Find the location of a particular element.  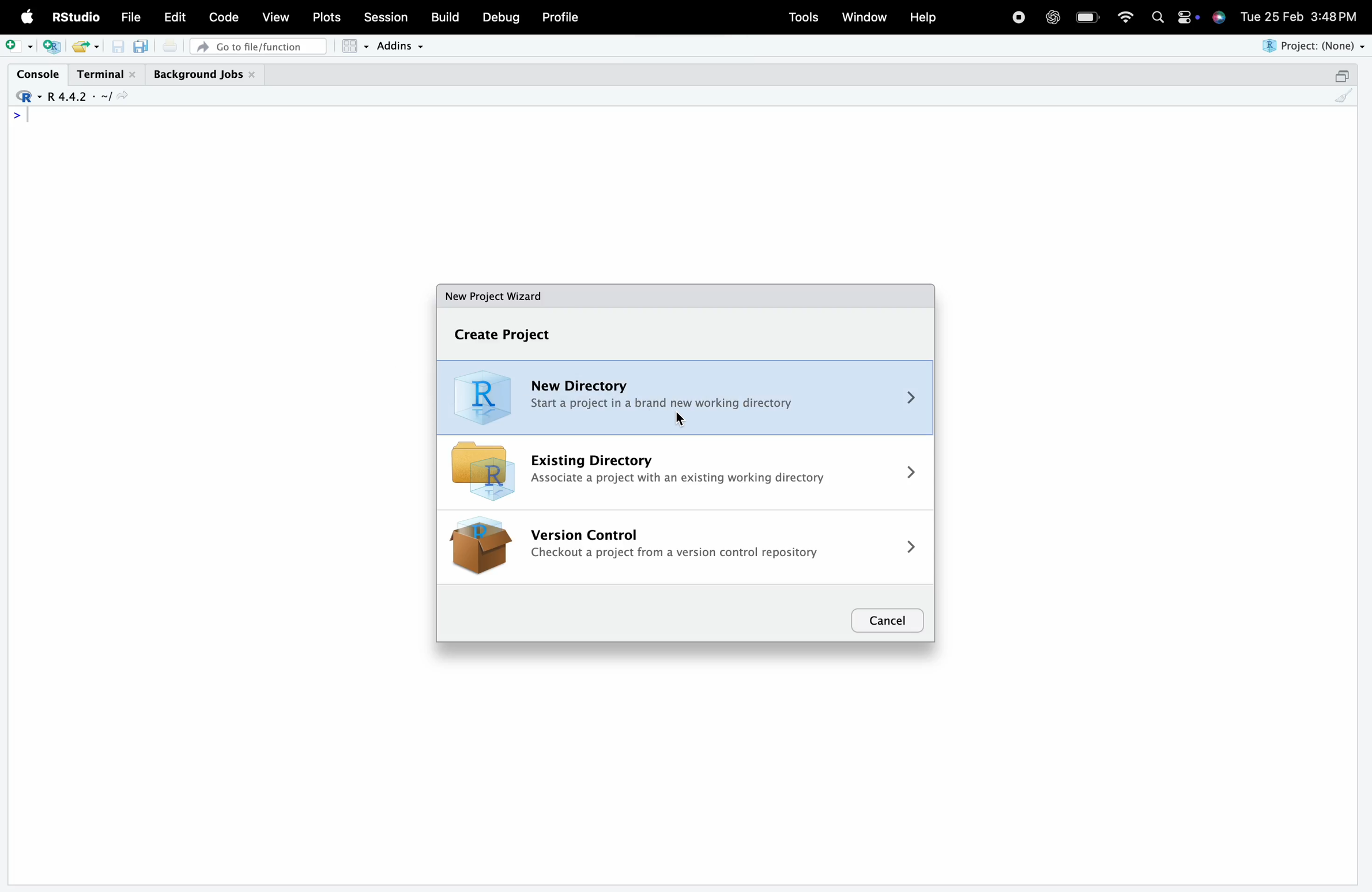

new file is located at coordinates (19, 46).